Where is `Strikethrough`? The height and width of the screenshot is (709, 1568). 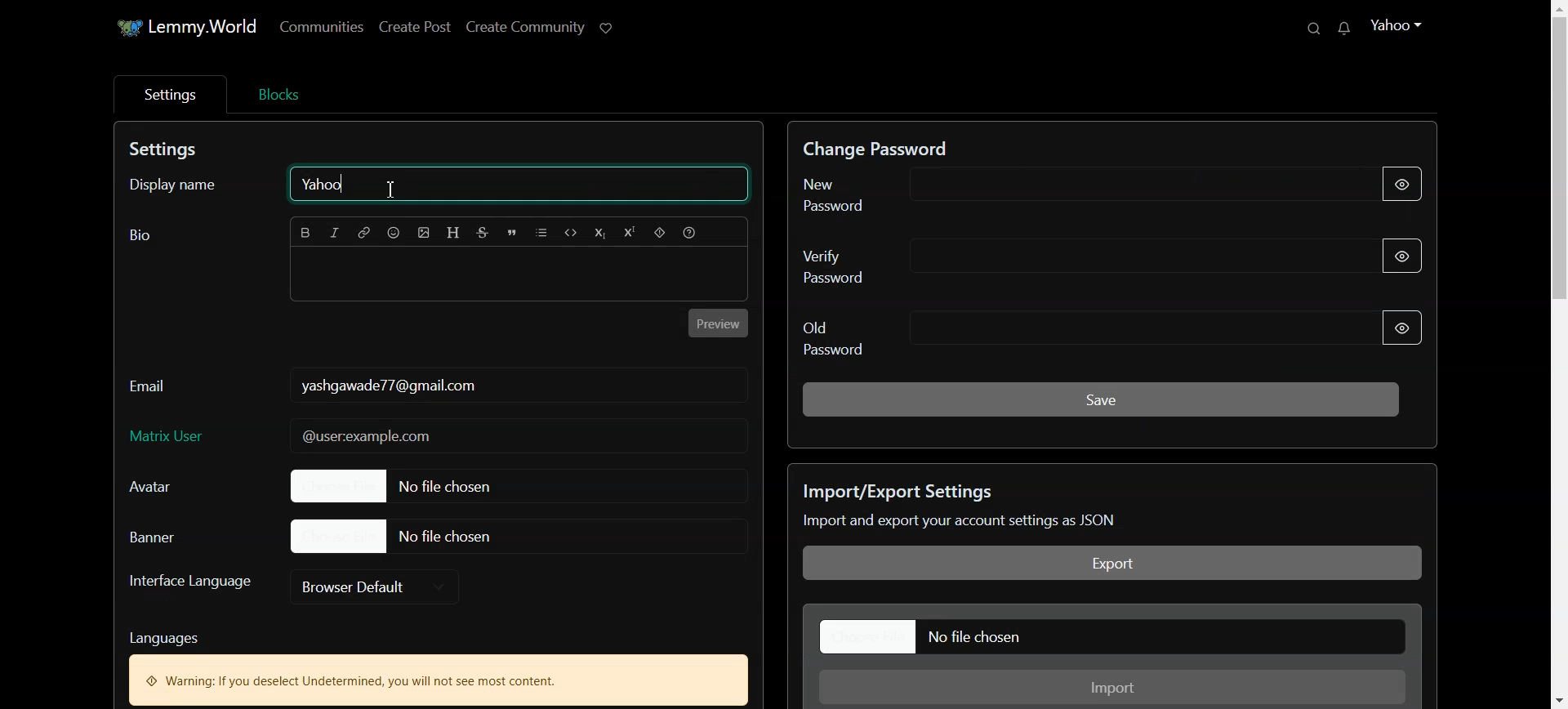 Strikethrough is located at coordinates (483, 234).